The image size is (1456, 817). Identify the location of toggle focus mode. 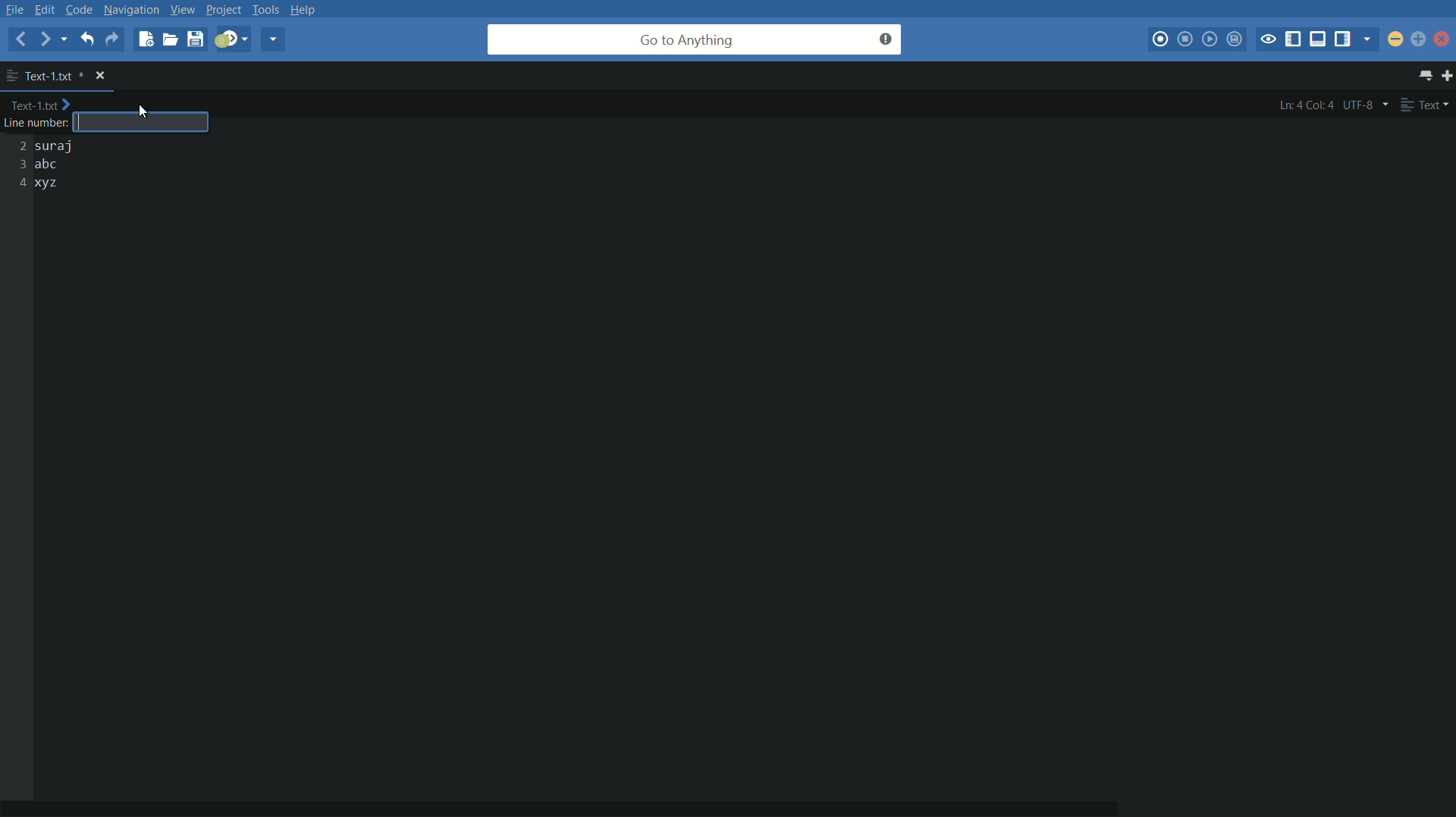
(1269, 39).